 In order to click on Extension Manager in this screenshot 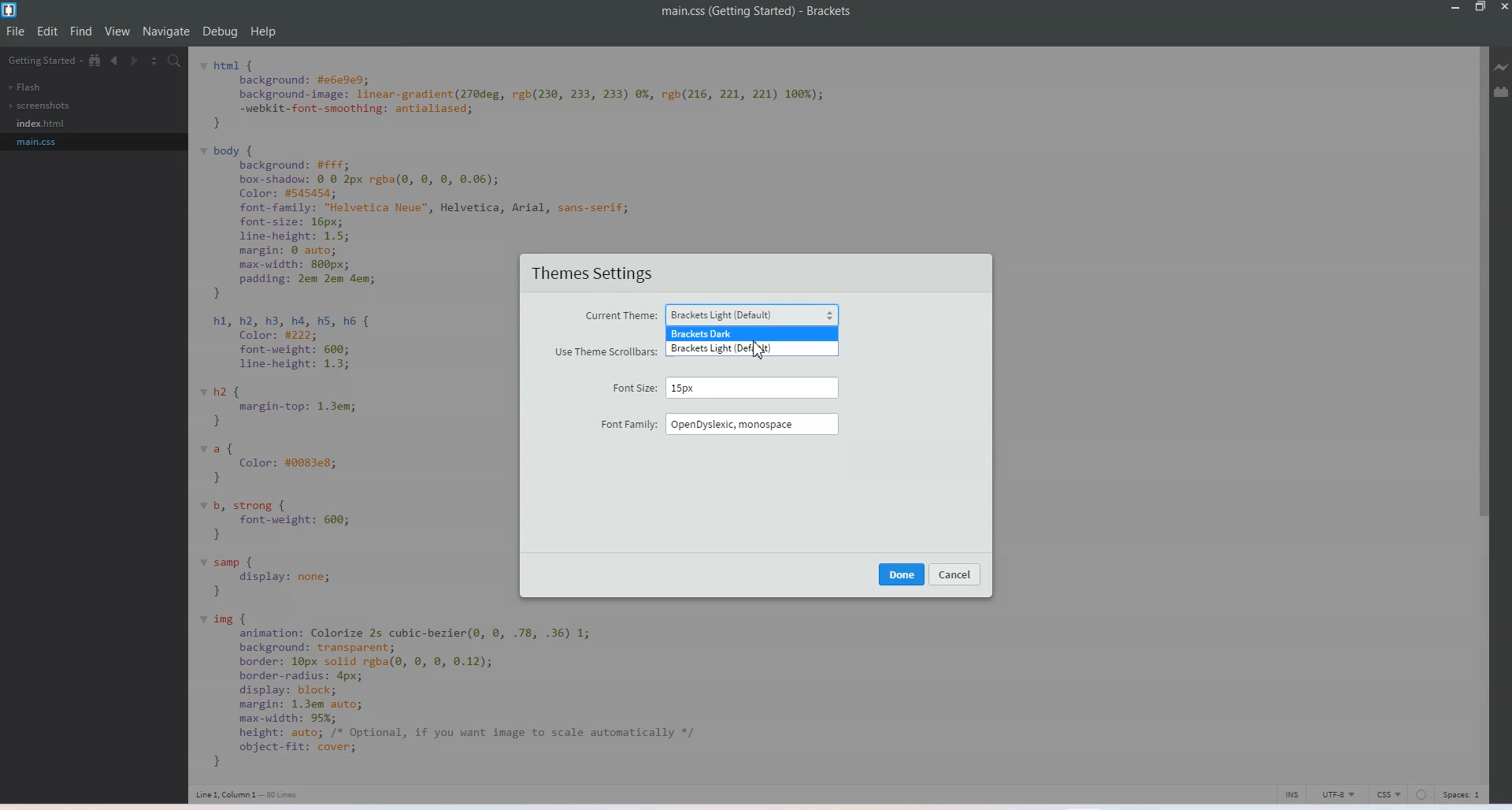, I will do `click(1503, 91)`.